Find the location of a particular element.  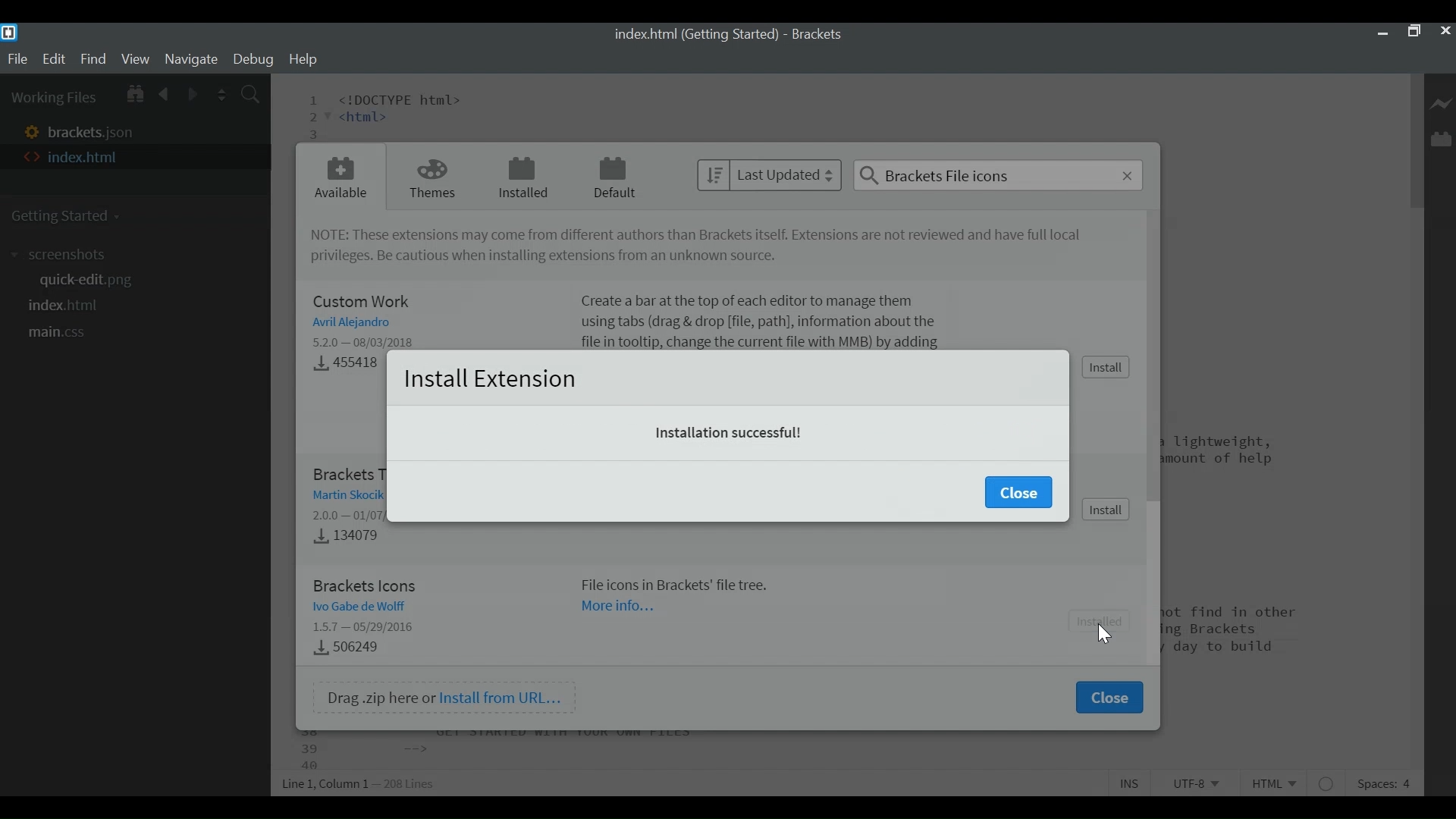

Line, Column Preferences is located at coordinates (360, 781).